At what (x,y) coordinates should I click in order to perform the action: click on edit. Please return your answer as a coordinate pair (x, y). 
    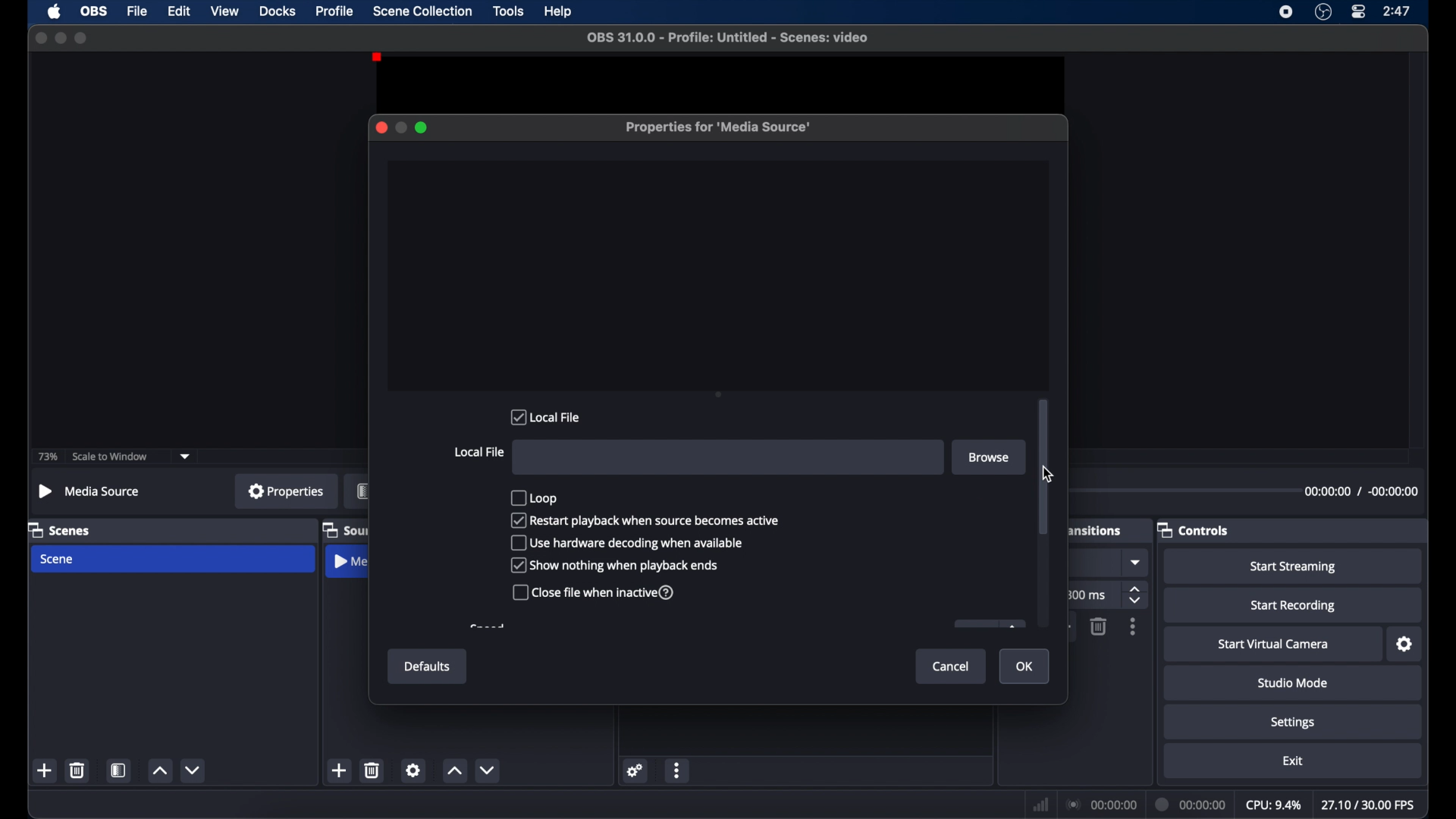
    Looking at the image, I should click on (179, 11).